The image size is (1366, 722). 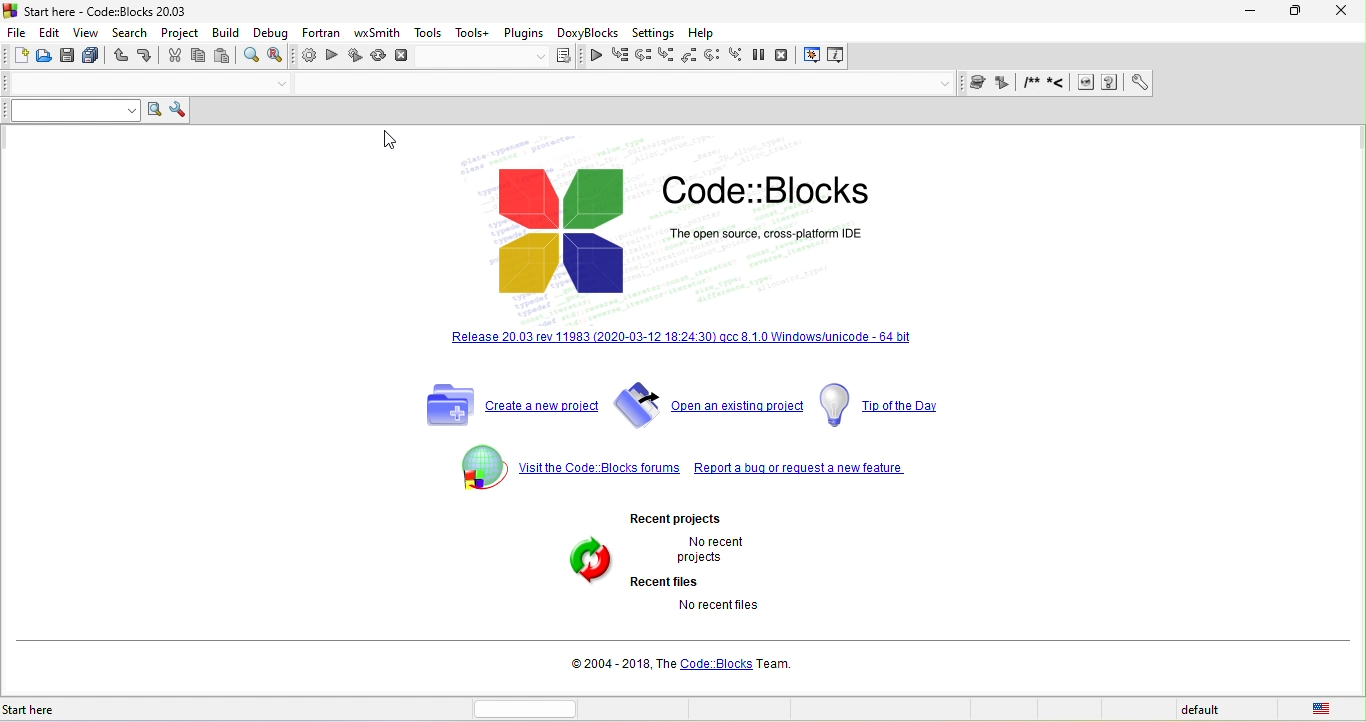 I want to click on undo, so click(x=119, y=58).